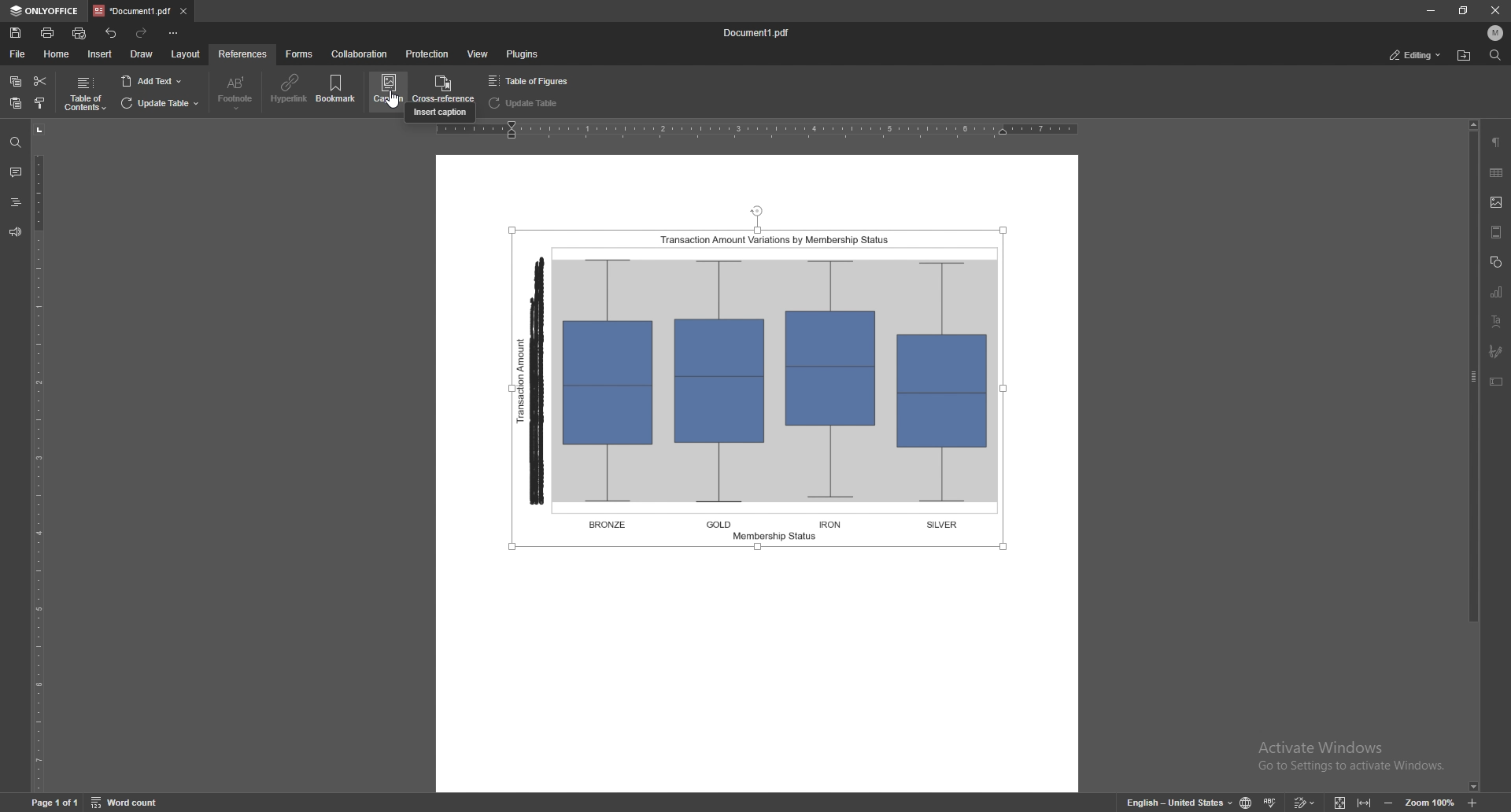 This screenshot has width=1511, height=812. What do you see at coordinates (187, 54) in the screenshot?
I see `layout` at bounding box center [187, 54].